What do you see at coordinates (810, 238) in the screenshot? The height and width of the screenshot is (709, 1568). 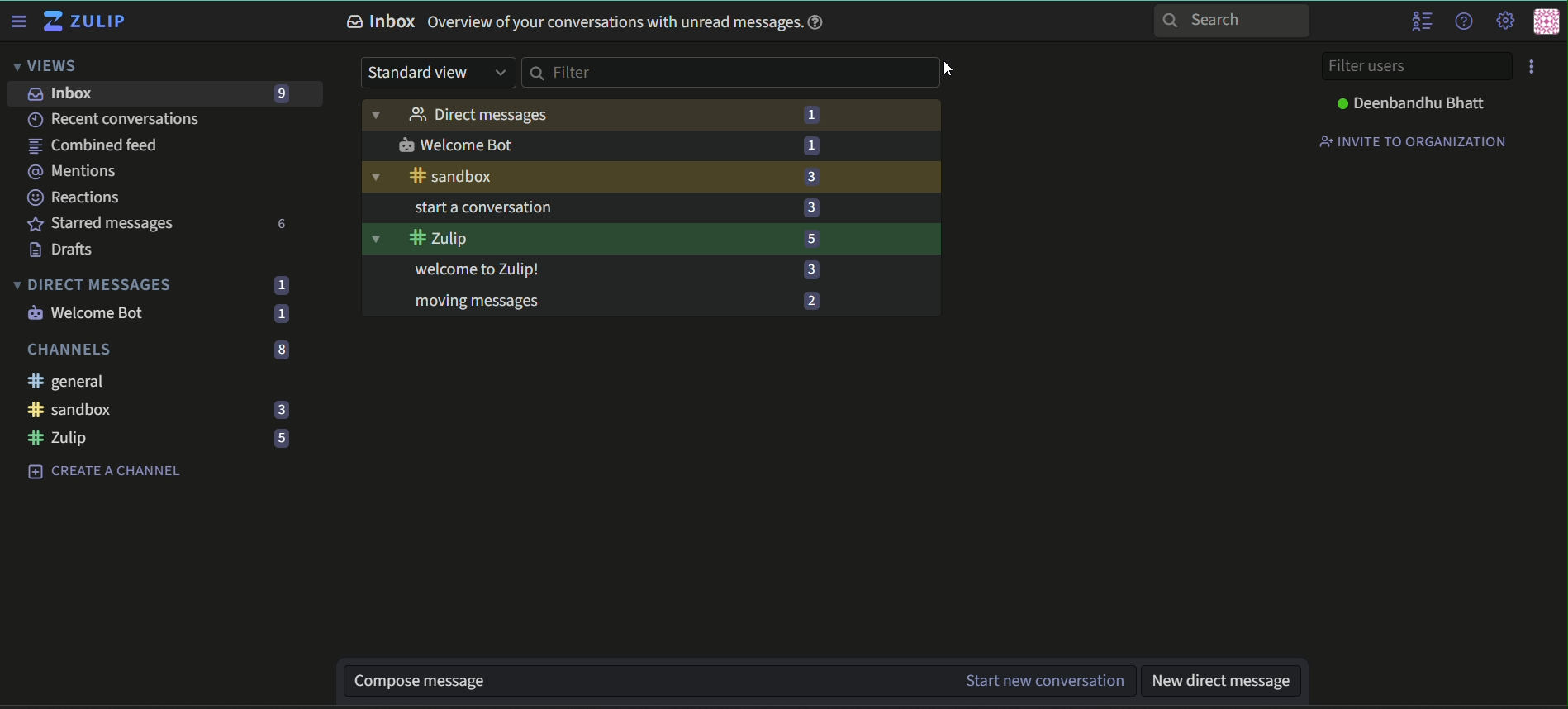 I see `number` at bounding box center [810, 238].